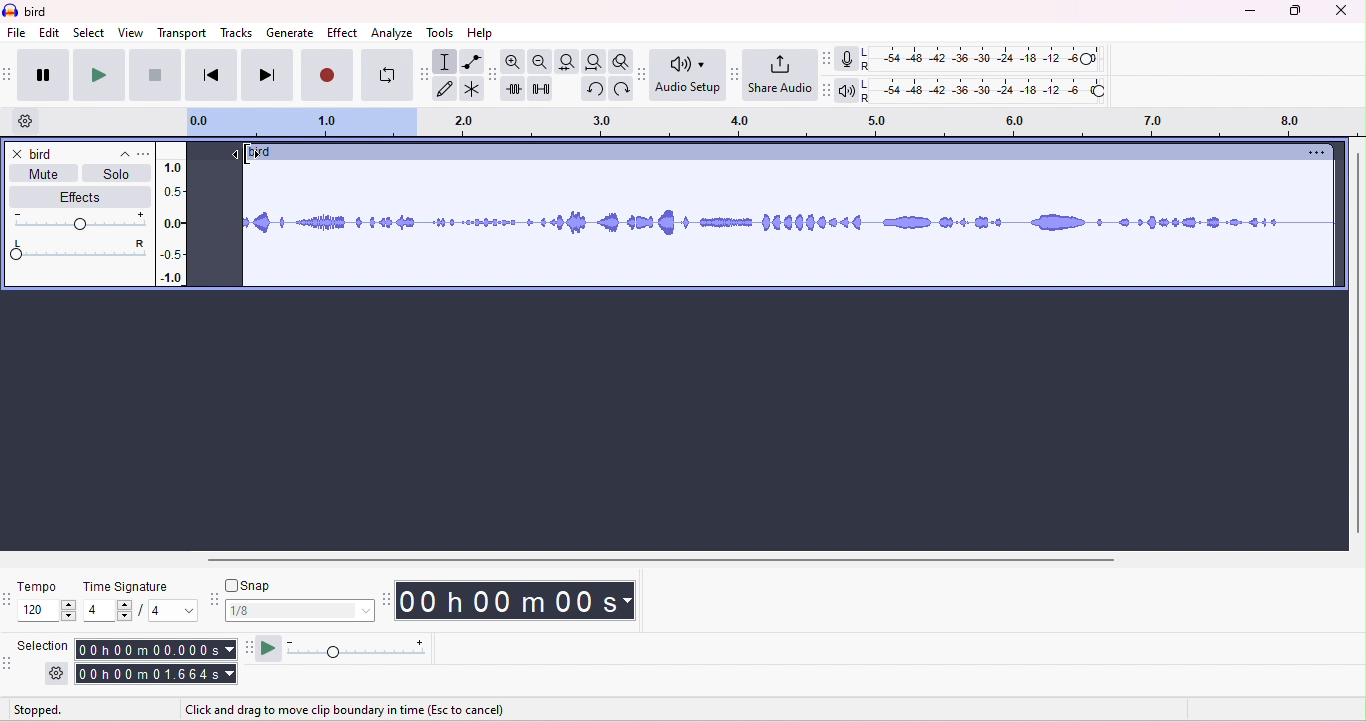 The image size is (1366, 722). What do you see at coordinates (1296, 12) in the screenshot?
I see `maximize` at bounding box center [1296, 12].